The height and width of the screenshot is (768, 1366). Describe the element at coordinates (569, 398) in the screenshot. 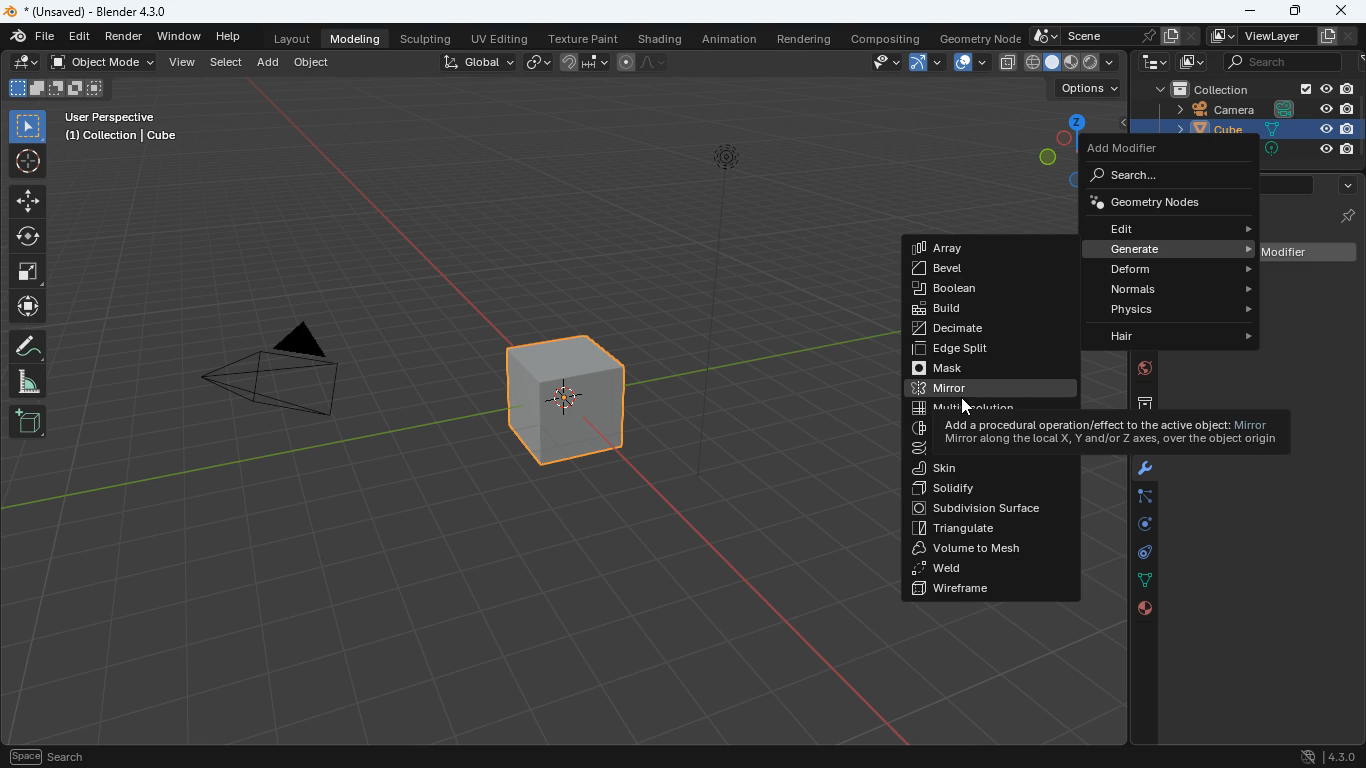

I see `cube` at that location.